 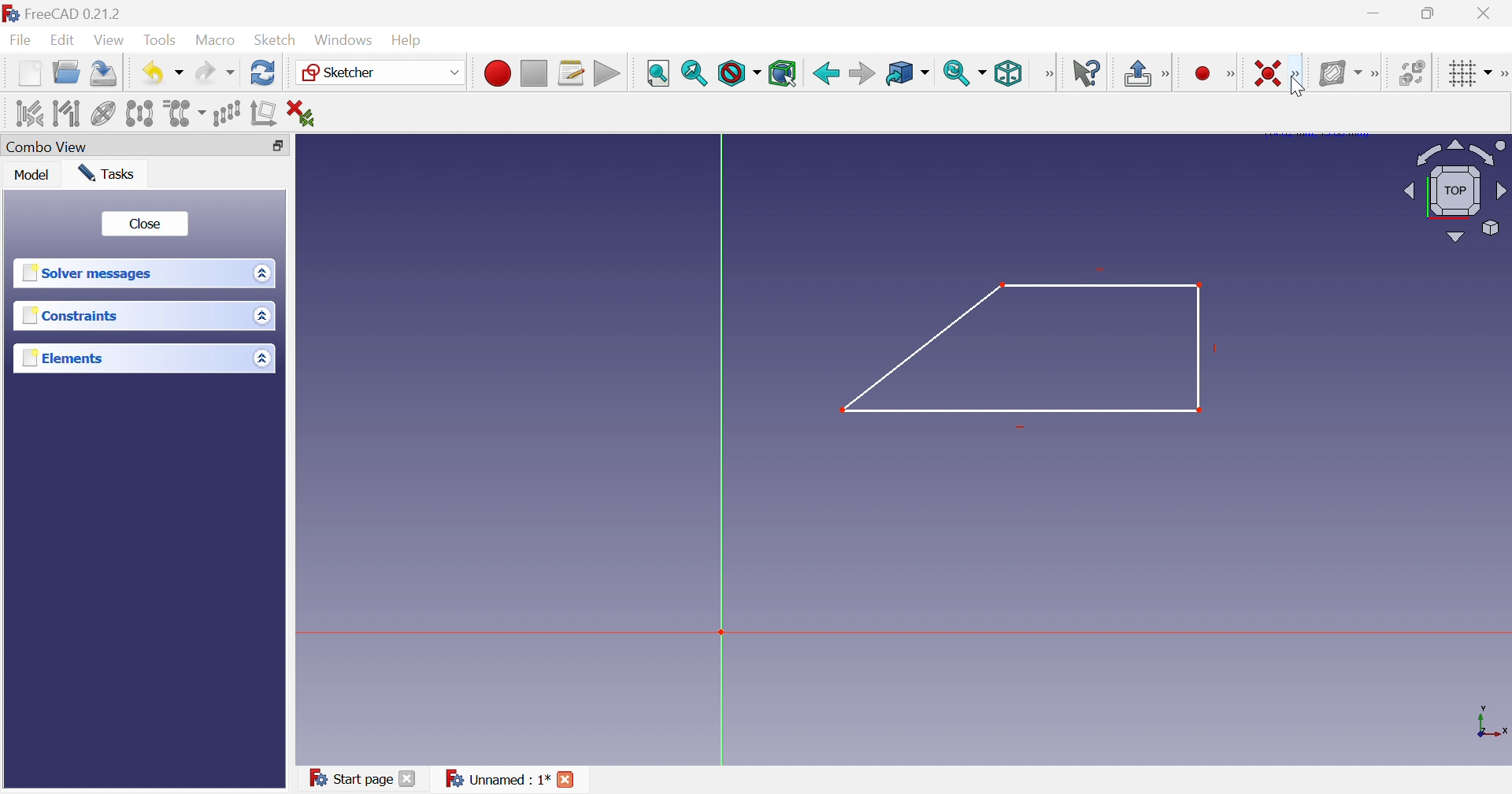 I want to click on Sketch, so click(x=276, y=40).